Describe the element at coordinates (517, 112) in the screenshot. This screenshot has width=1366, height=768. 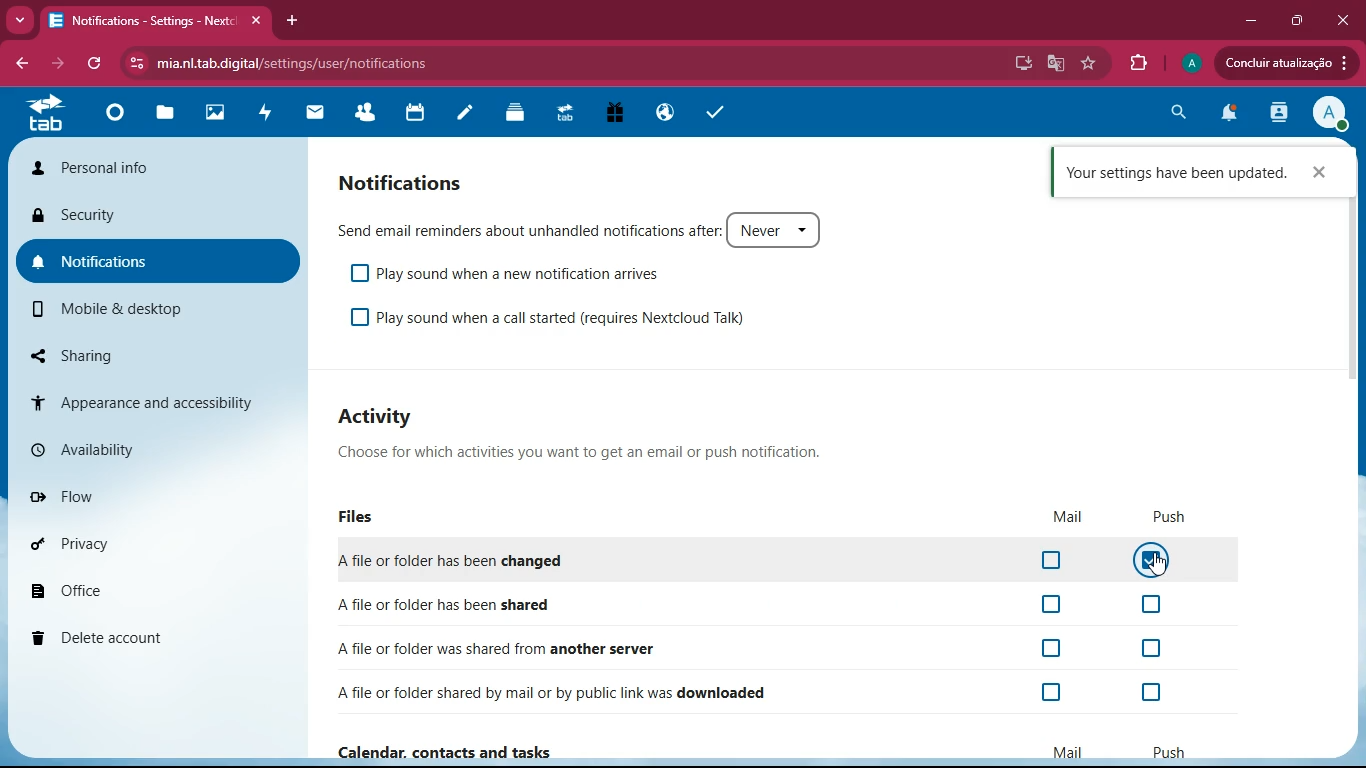
I see `layers` at that location.